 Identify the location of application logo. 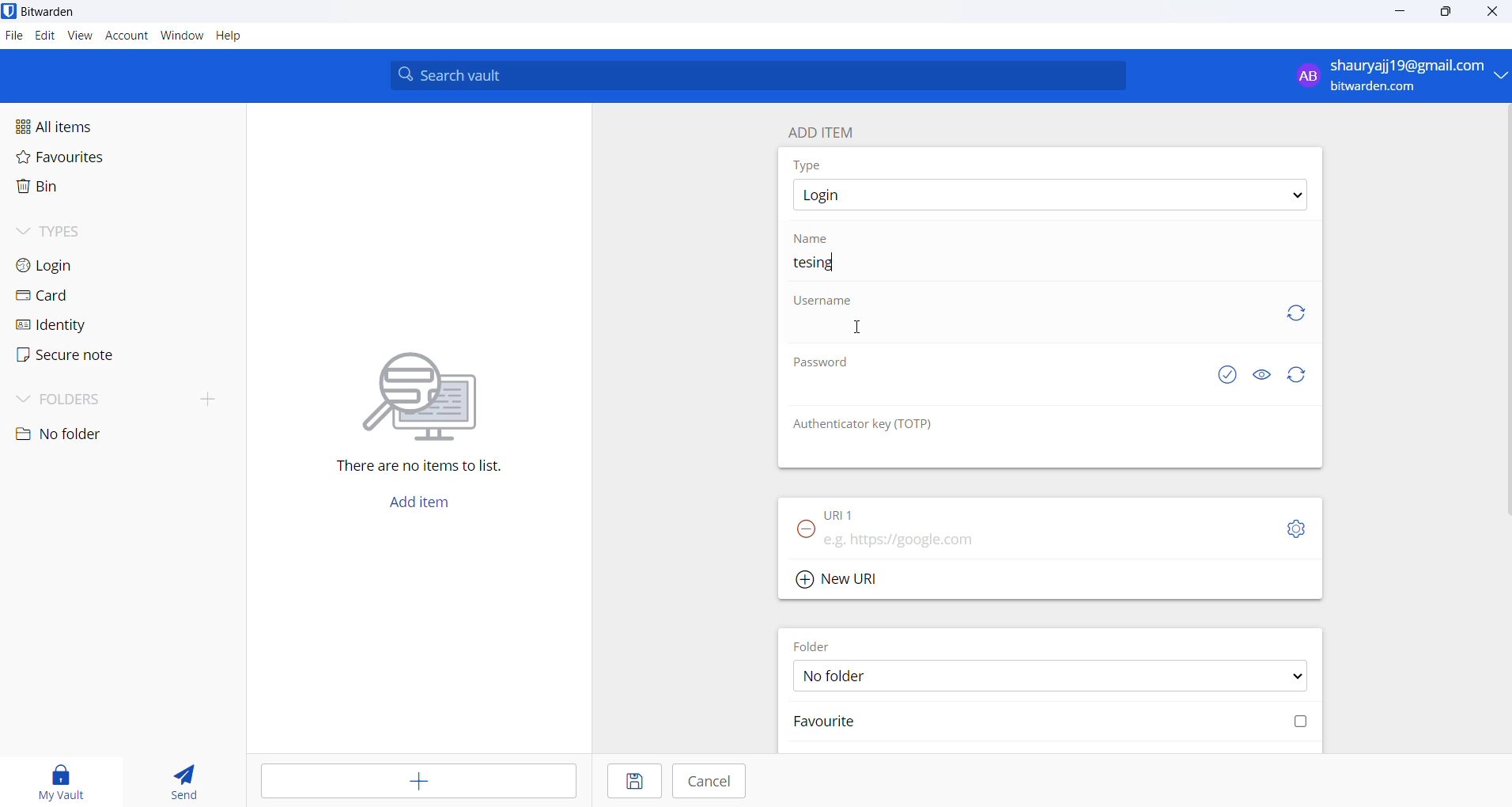
(10, 11).